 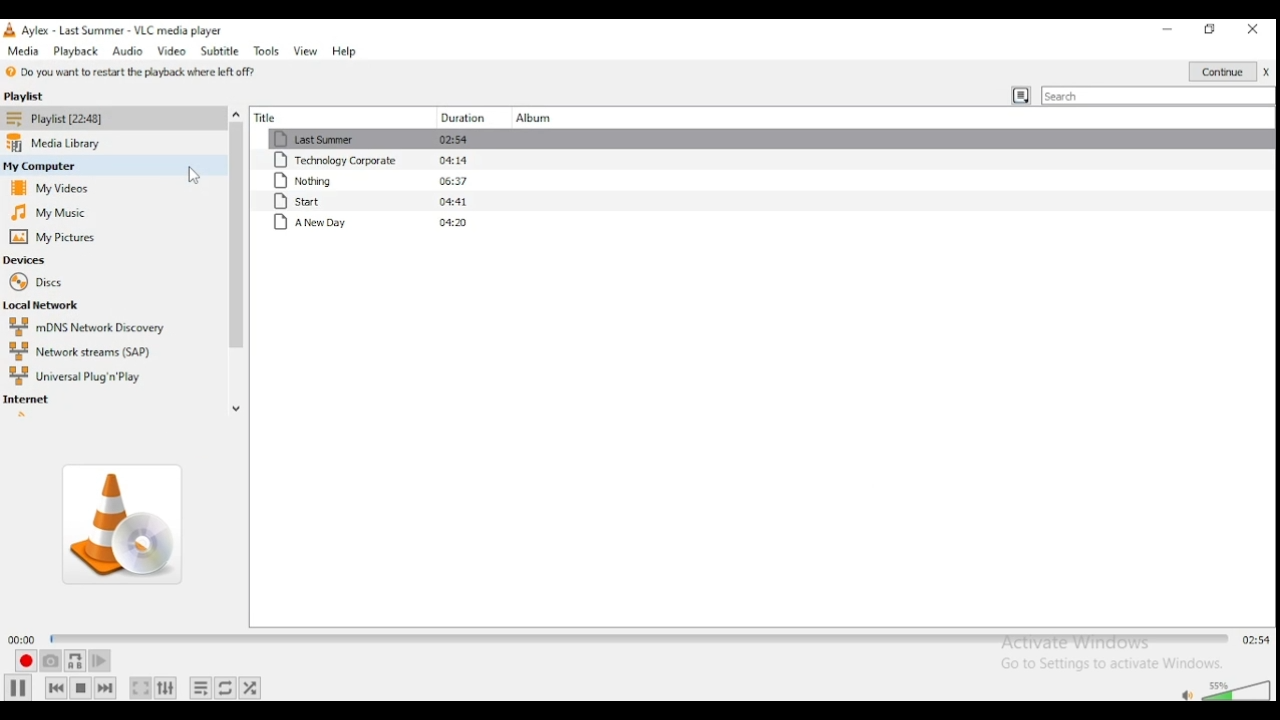 What do you see at coordinates (126, 50) in the screenshot?
I see `audio` at bounding box center [126, 50].